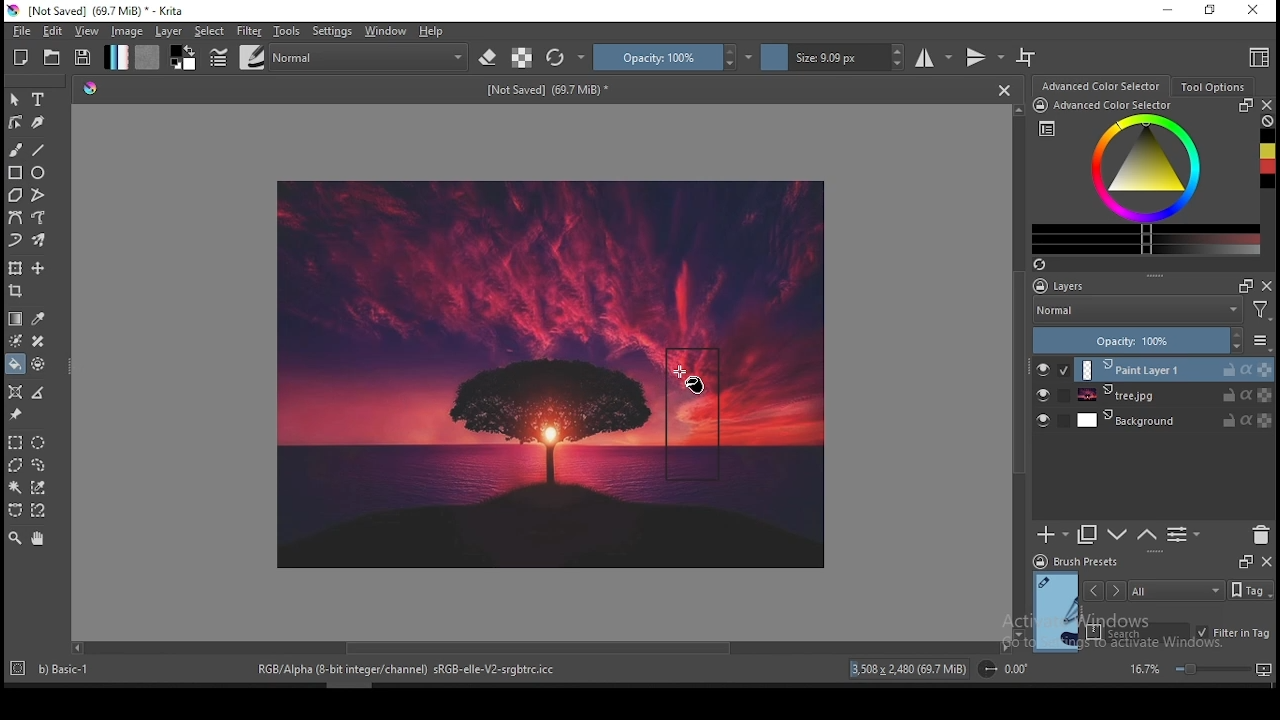 Image resolution: width=1280 pixels, height=720 pixels. Describe the element at coordinates (386, 31) in the screenshot. I see `window` at that location.